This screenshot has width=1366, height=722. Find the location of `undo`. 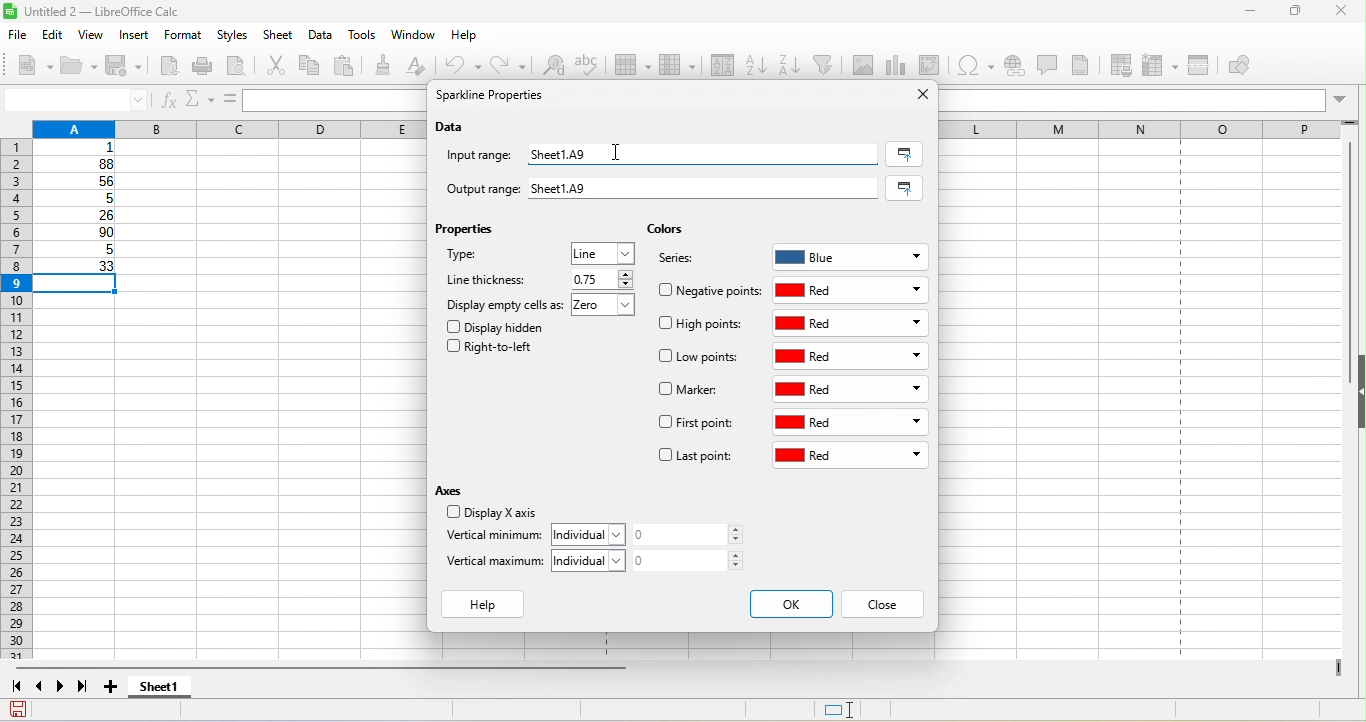

undo is located at coordinates (466, 65).